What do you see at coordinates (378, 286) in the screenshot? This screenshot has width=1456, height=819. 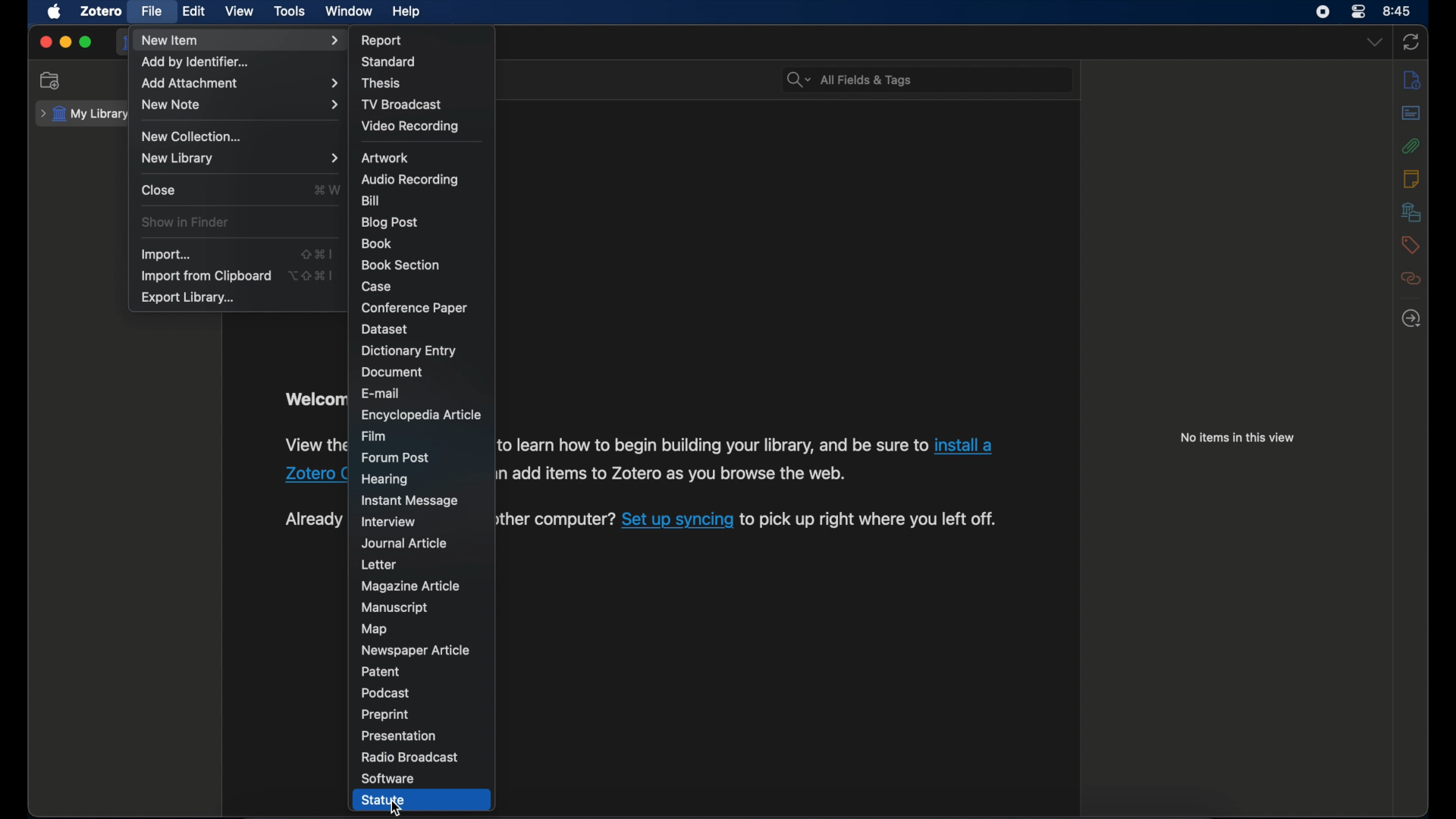 I see `case` at bounding box center [378, 286].